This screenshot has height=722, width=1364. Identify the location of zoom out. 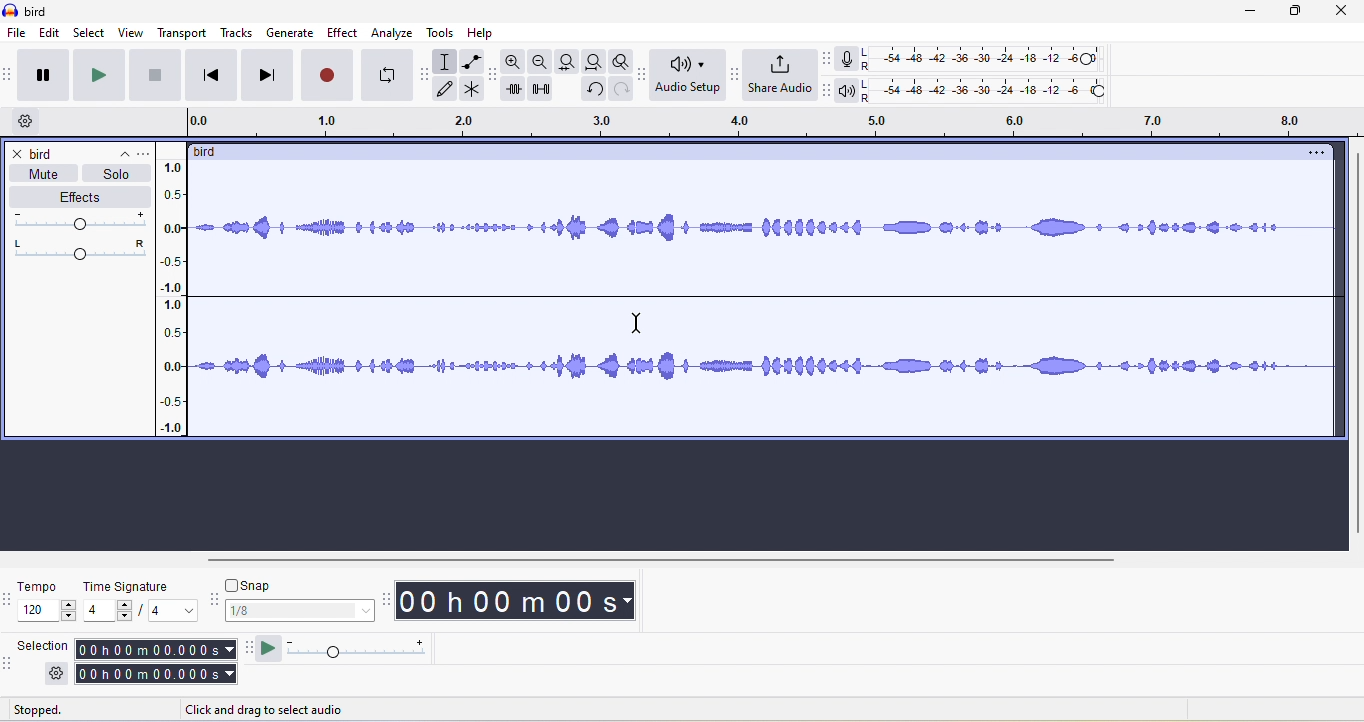
(541, 62).